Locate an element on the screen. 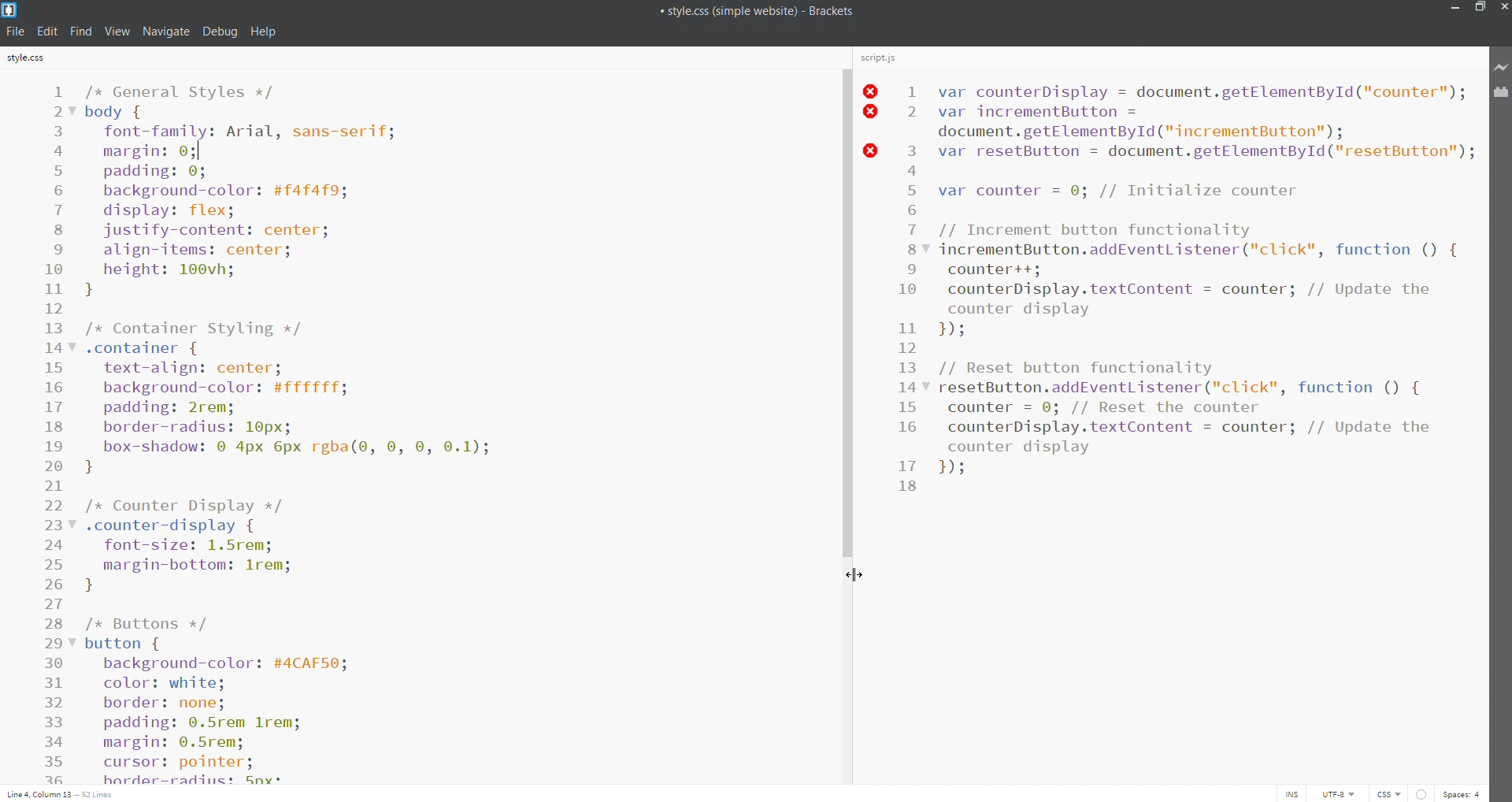 The image size is (1512, 802). encoding is located at coordinates (1336, 794).